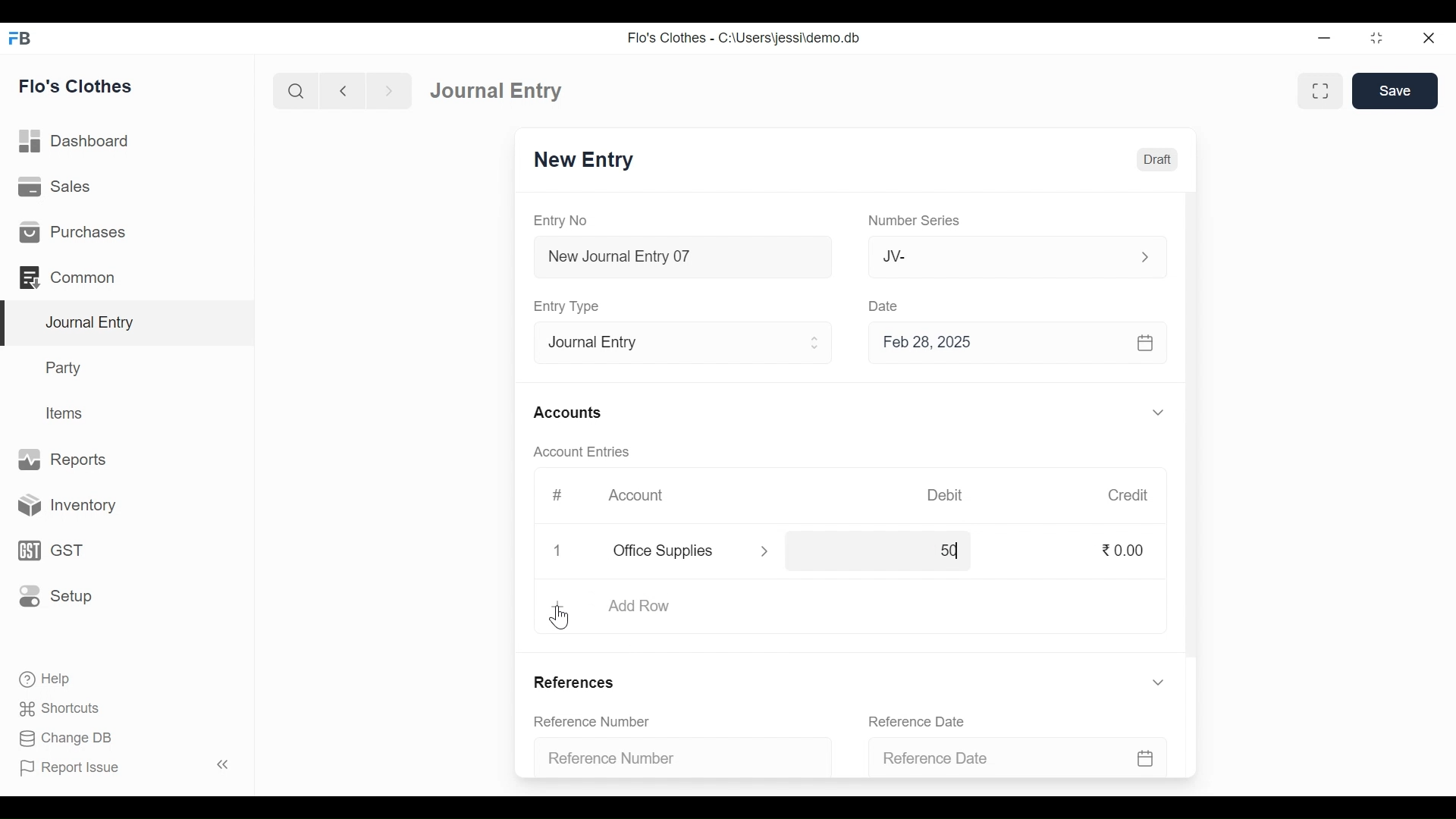 This screenshot has width=1456, height=819. I want to click on Expand, so click(1159, 682).